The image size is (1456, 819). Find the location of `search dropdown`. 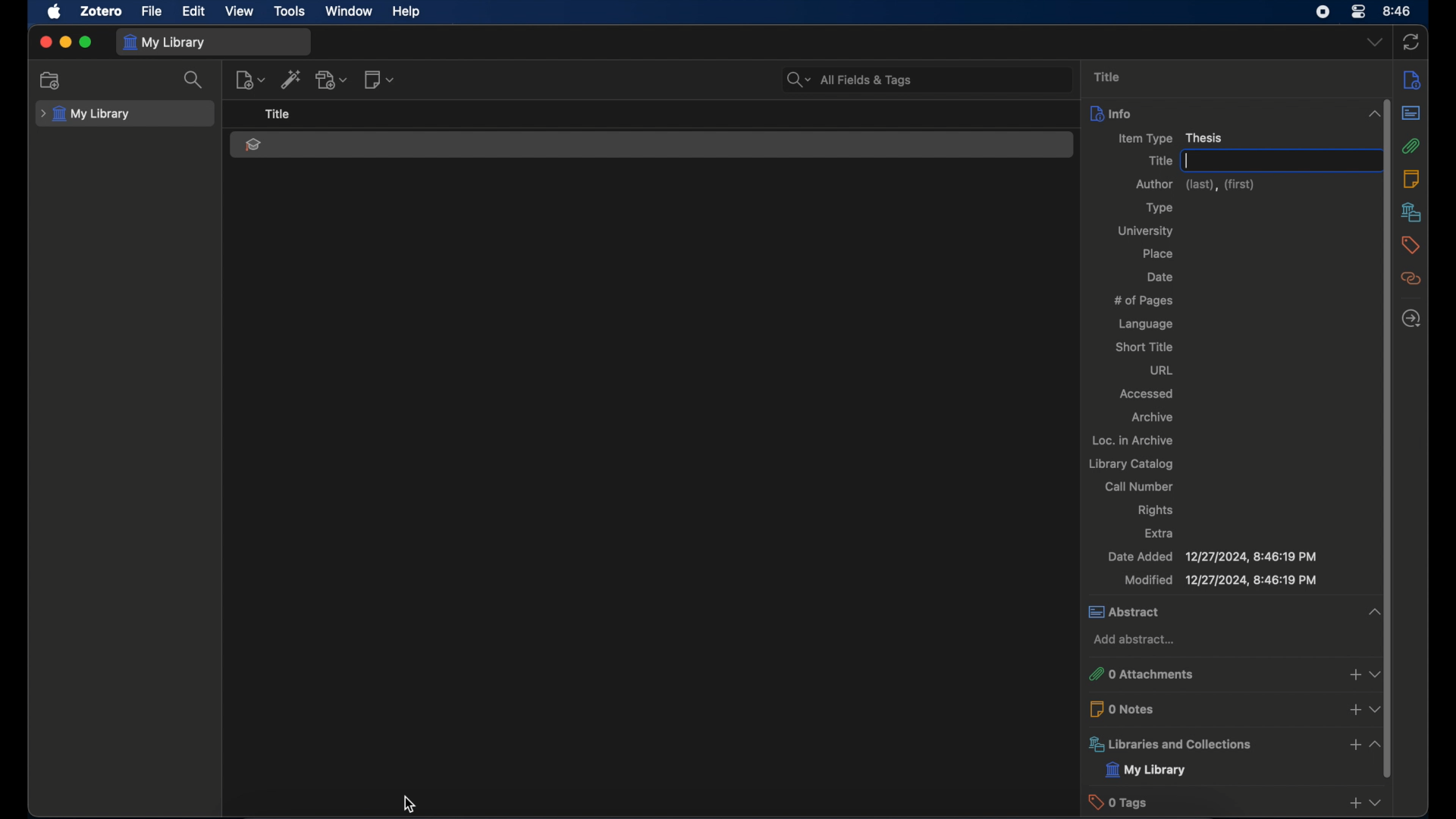

search dropdown is located at coordinates (796, 80).